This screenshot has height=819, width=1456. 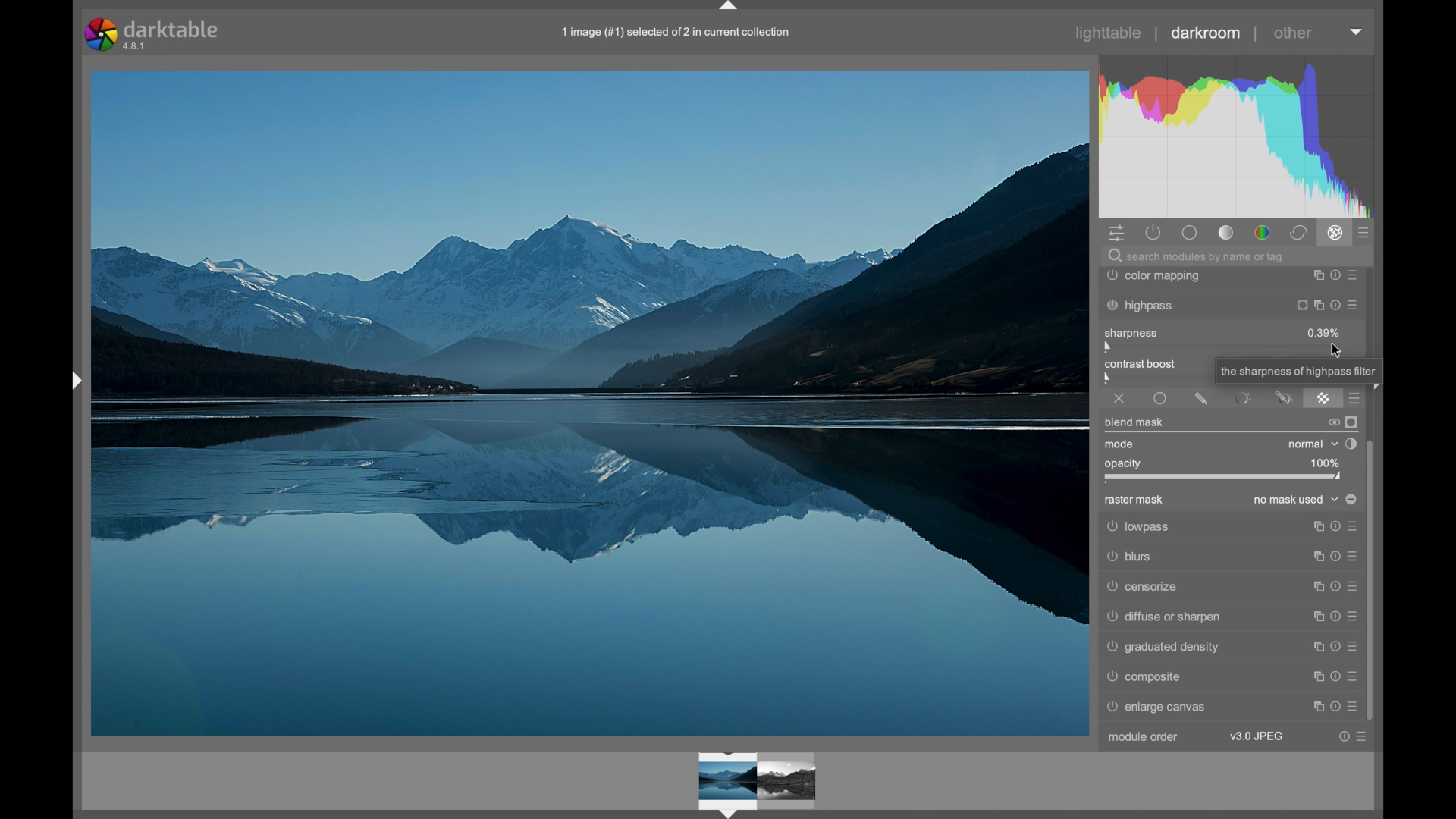 What do you see at coordinates (1257, 736) in the screenshot?
I see `v3.0 jpeg` at bounding box center [1257, 736].